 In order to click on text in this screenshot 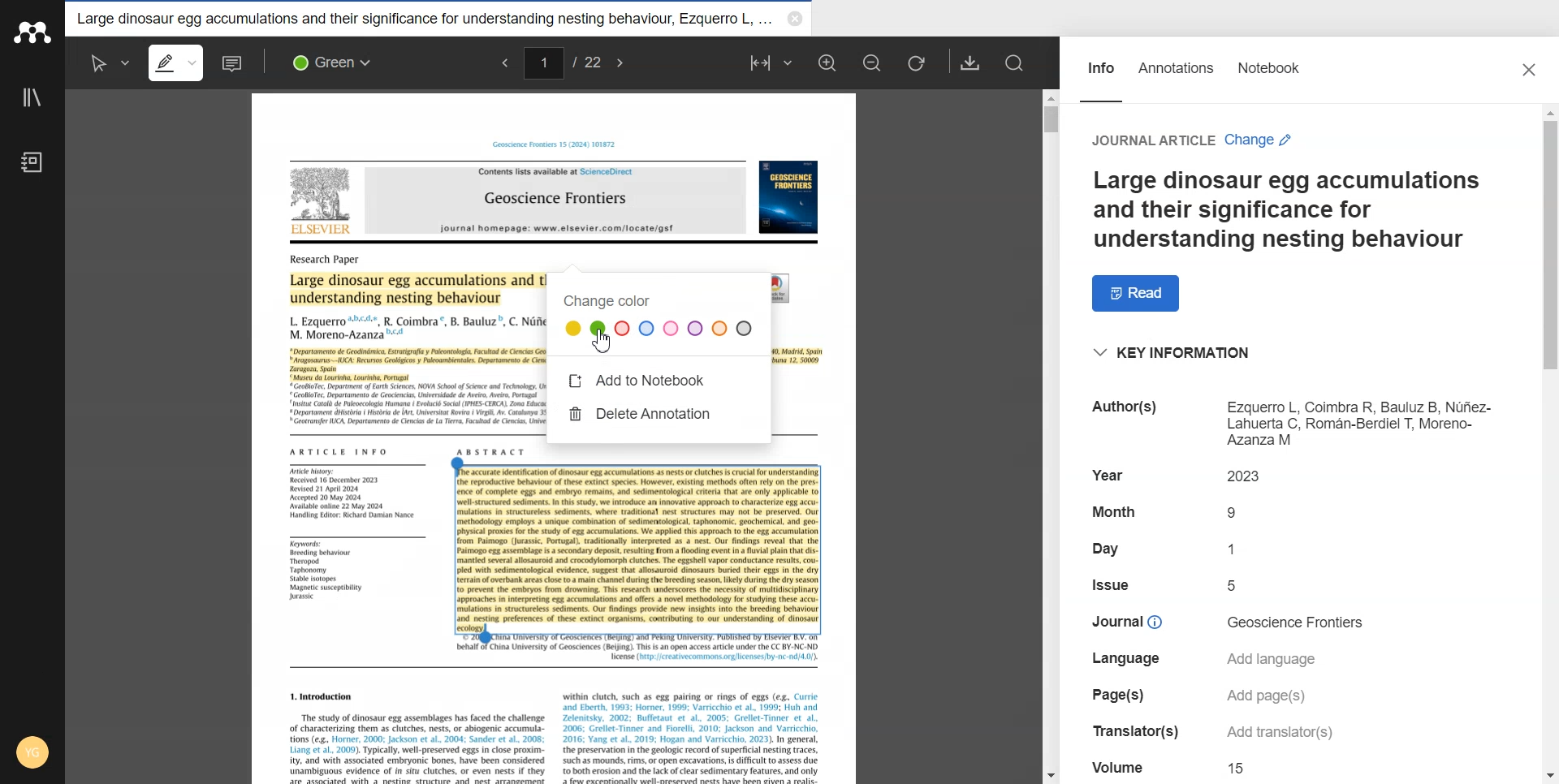, I will do `click(1237, 547)`.